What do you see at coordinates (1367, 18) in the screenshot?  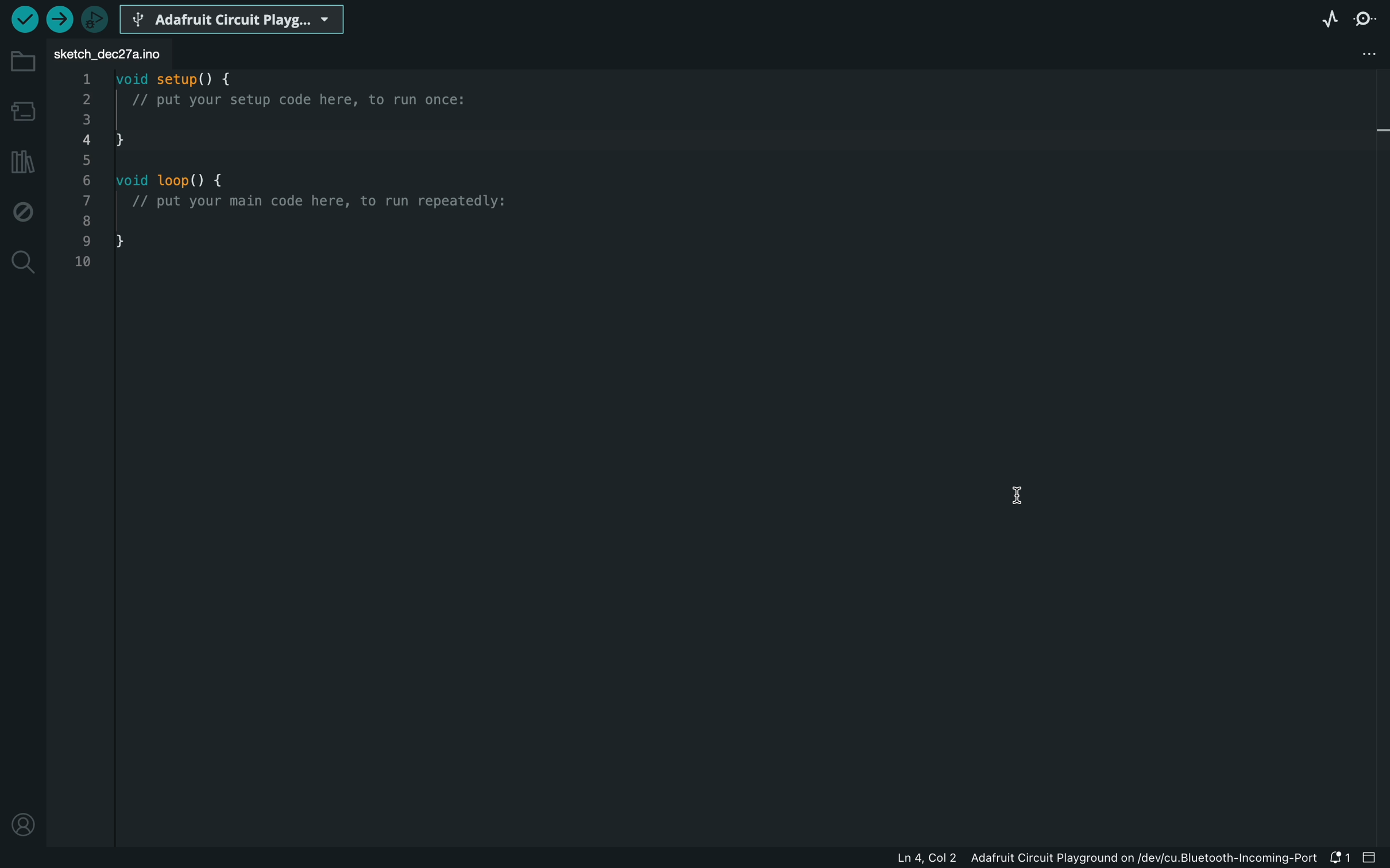 I see `serial monitor` at bounding box center [1367, 18].